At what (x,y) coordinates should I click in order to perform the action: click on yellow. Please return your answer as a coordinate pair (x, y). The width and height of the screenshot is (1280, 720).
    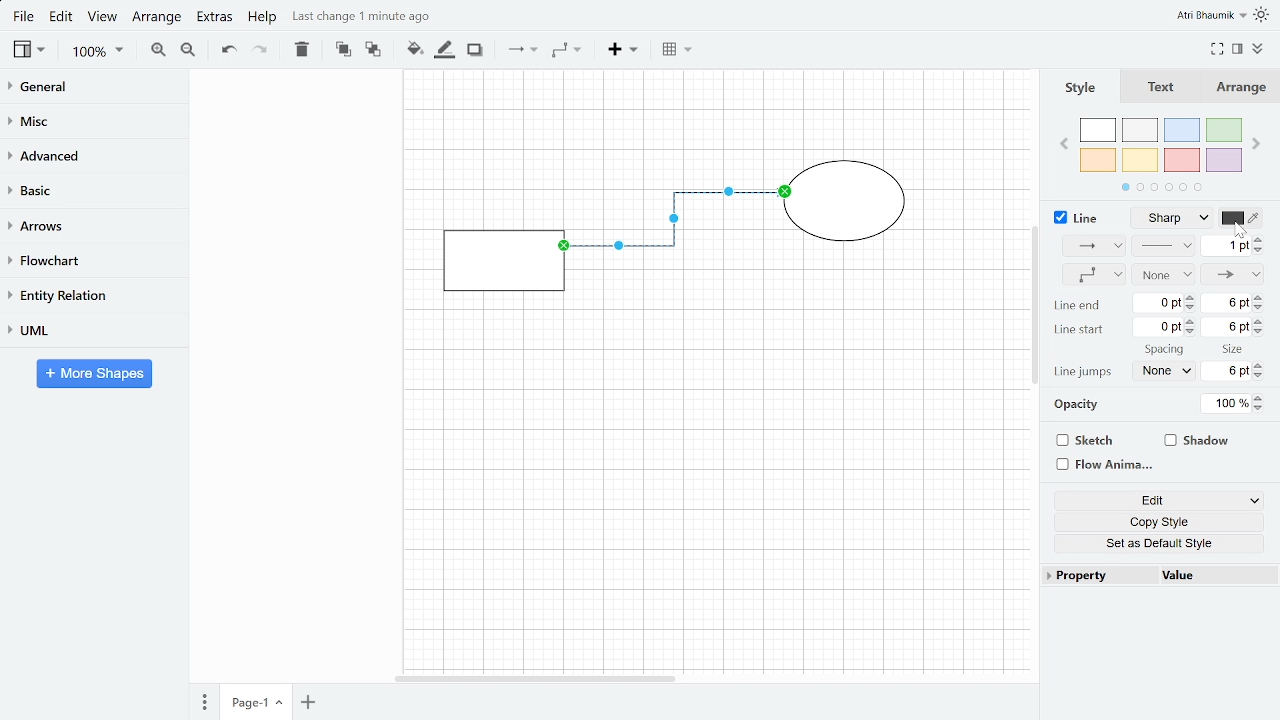
    Looking at the image, I should click on (1140, 161).